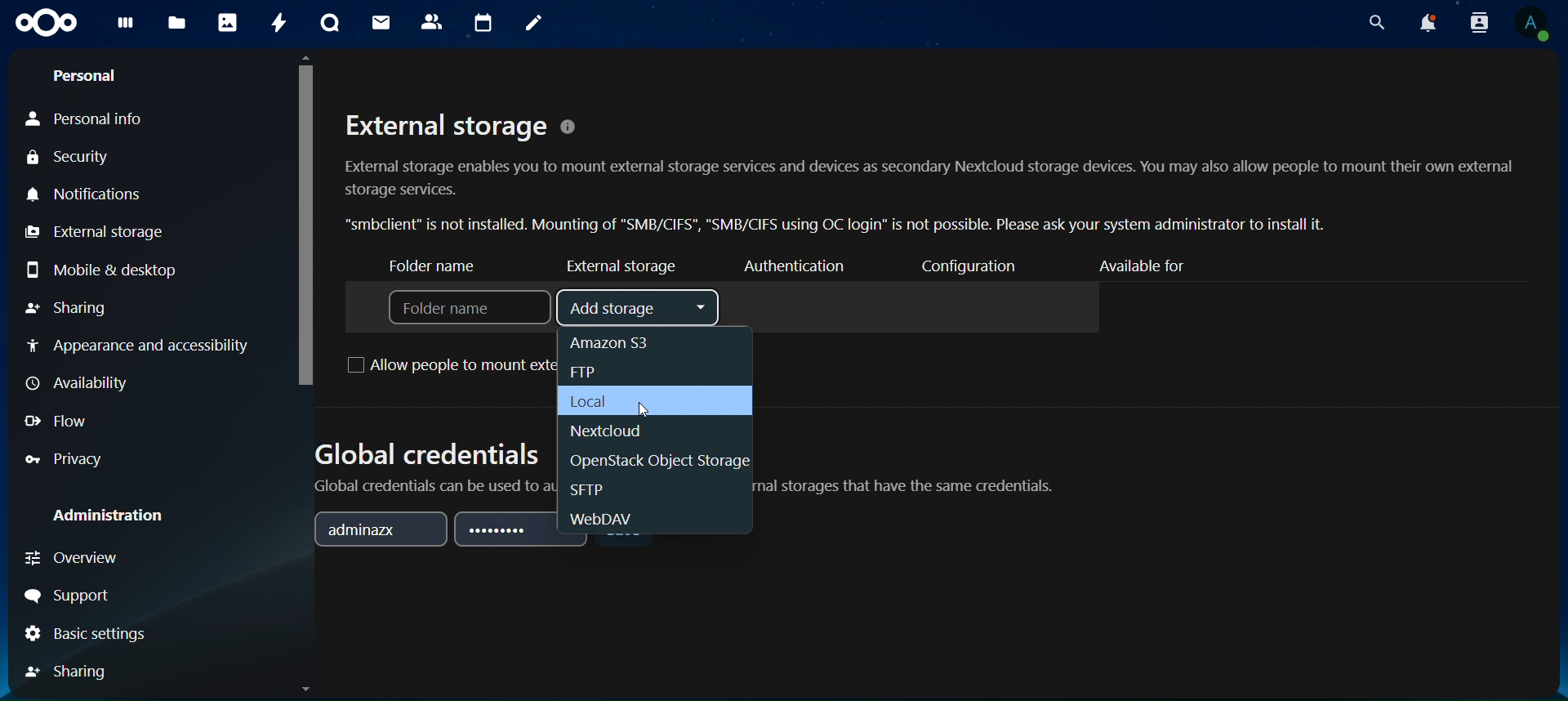 This screenshot has height=701, width=1568. What do you see at coordinates (1479, 23) in the screenshot?
I see `search contacts` at bounding box center [1479, 23].